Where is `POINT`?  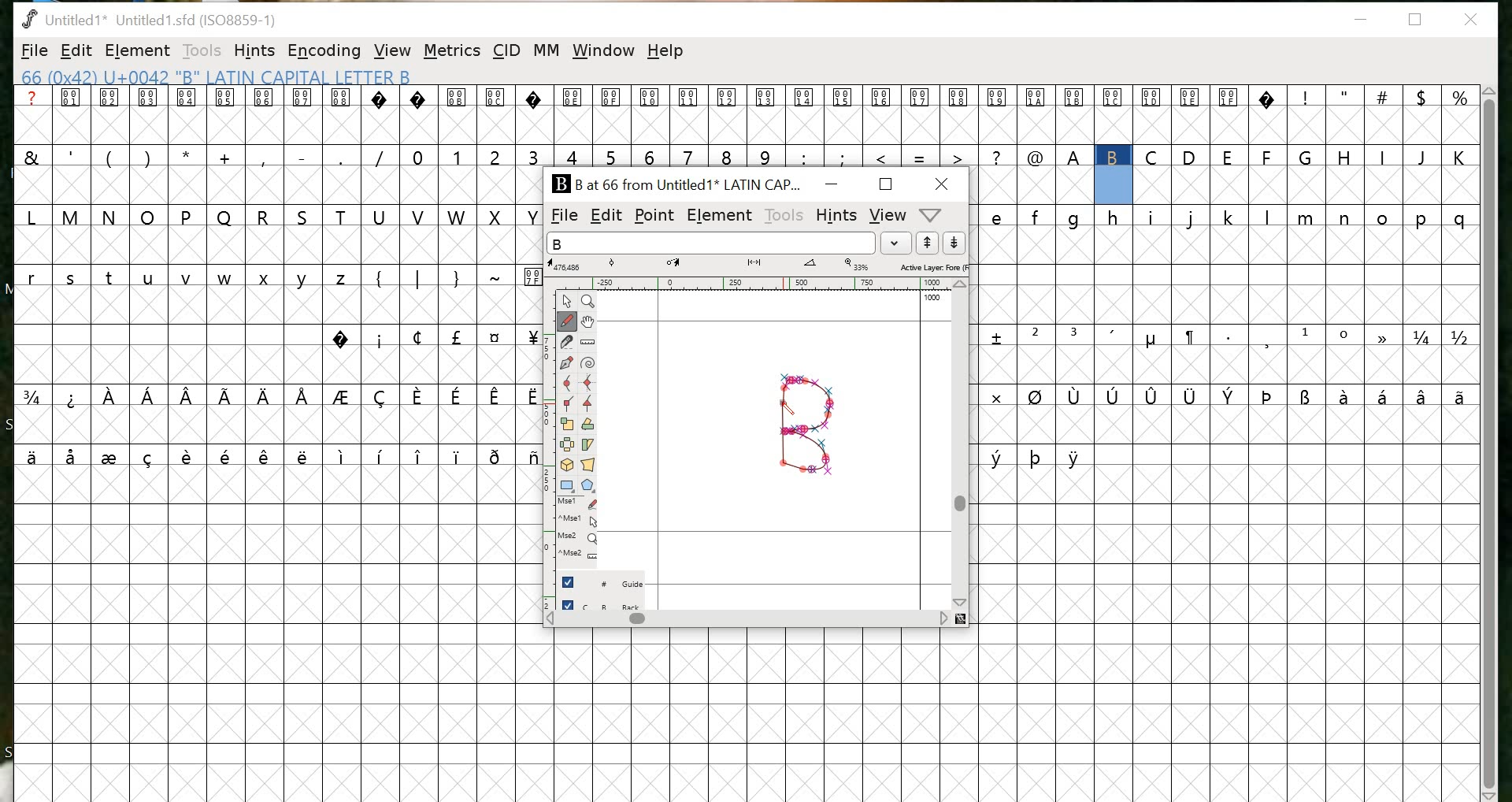 POINT is located at coordinates (654, 217).